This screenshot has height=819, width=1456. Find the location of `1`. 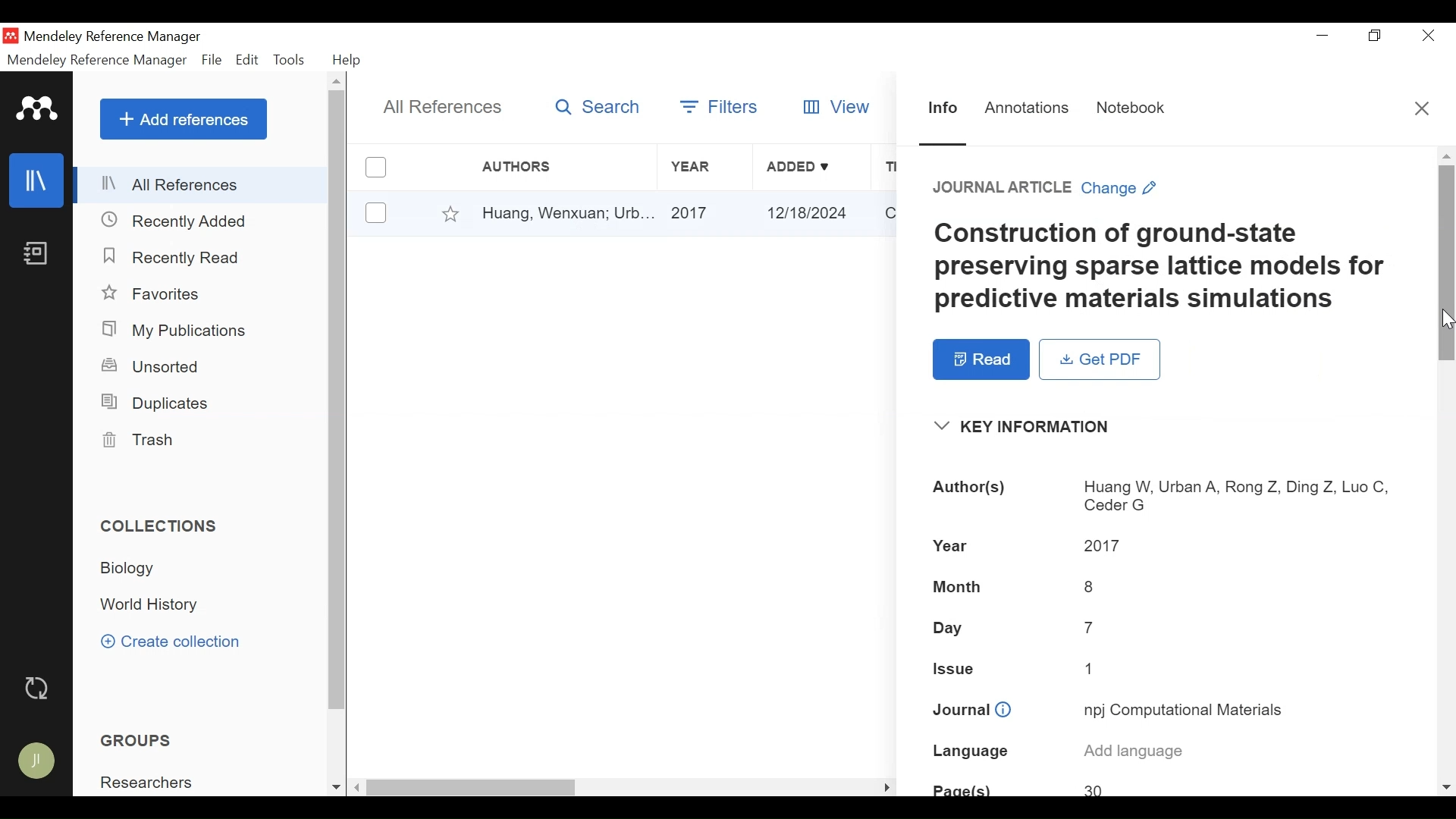

1 is located at coordinates (1090, 667).